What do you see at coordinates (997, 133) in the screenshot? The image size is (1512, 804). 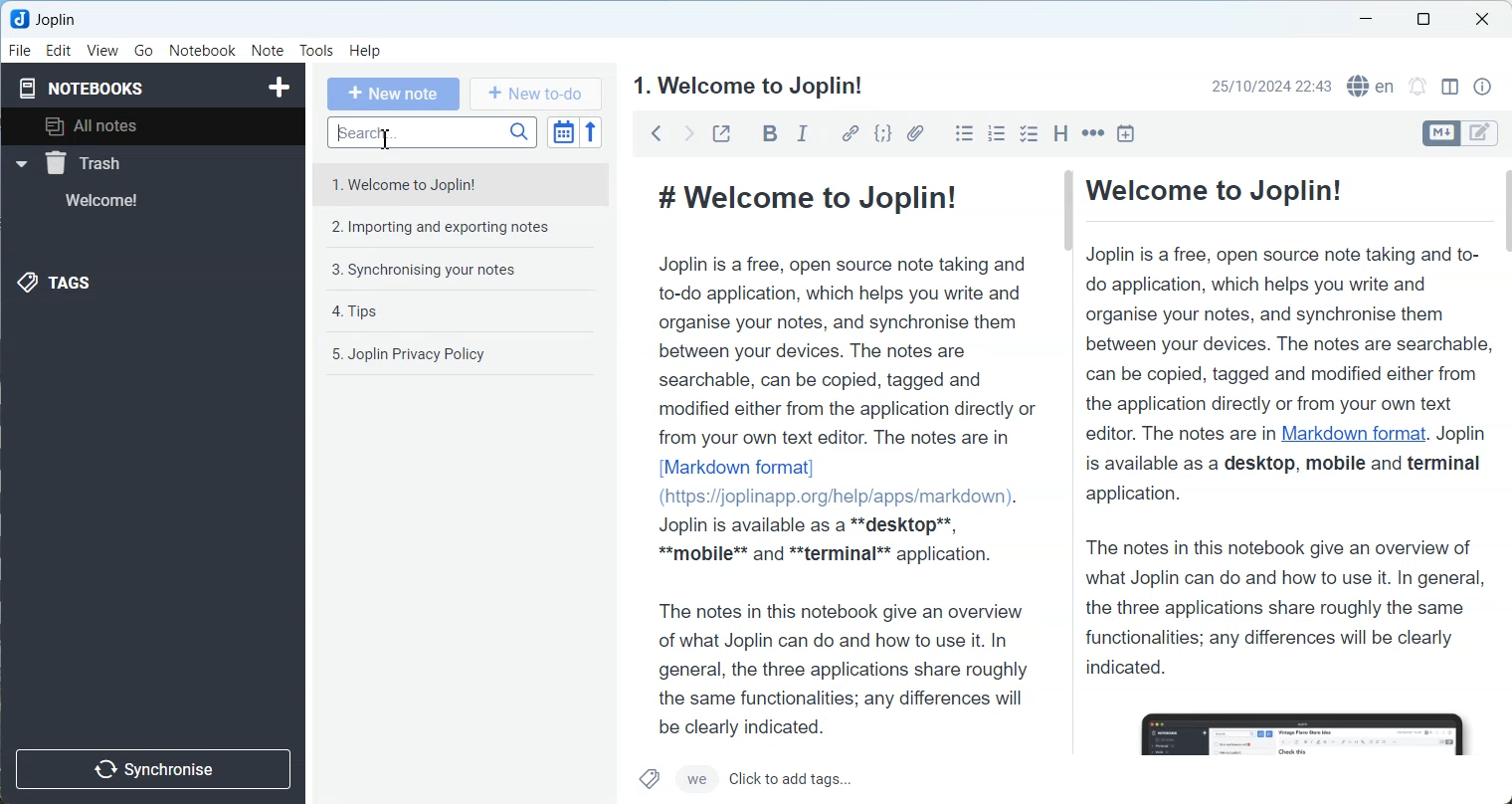 I see `Numbered list` at bounding box center [997, 133].